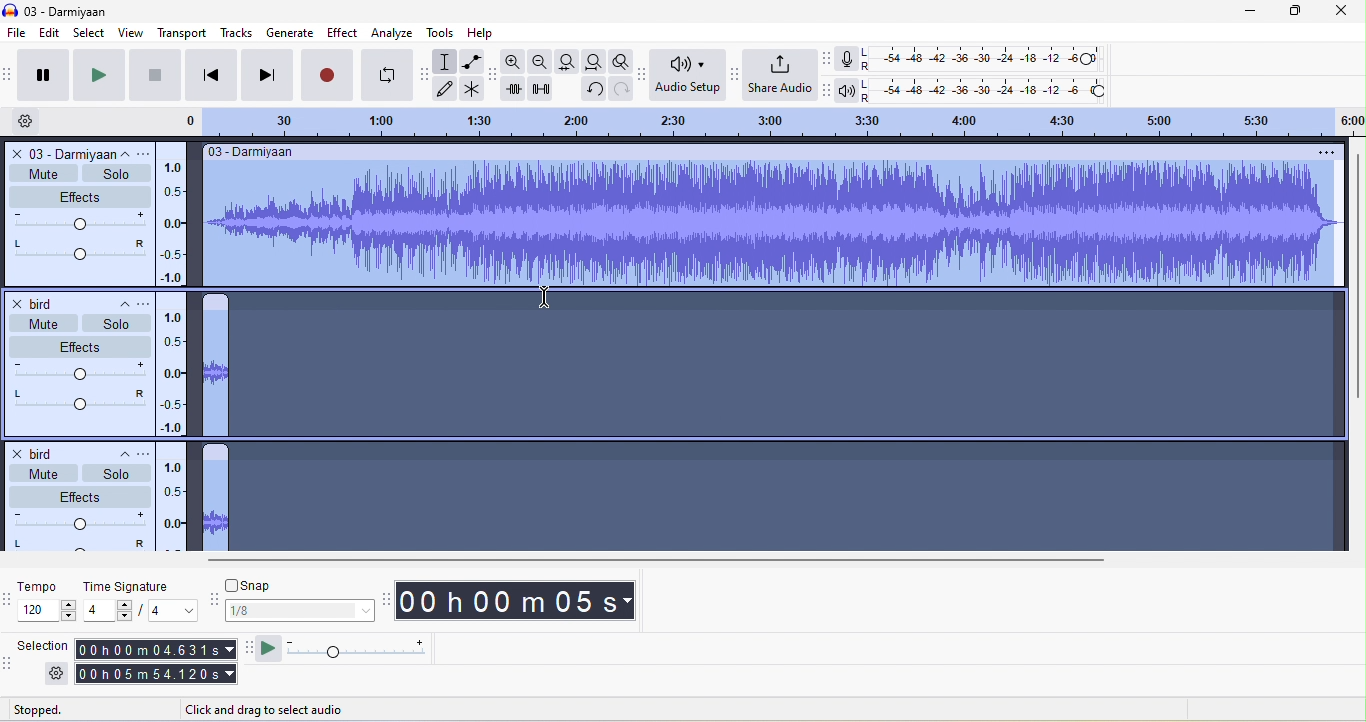 The width and height of the screenshot is (1366, 722). I want to click on audacity tools toolbar, so click(426, 75).